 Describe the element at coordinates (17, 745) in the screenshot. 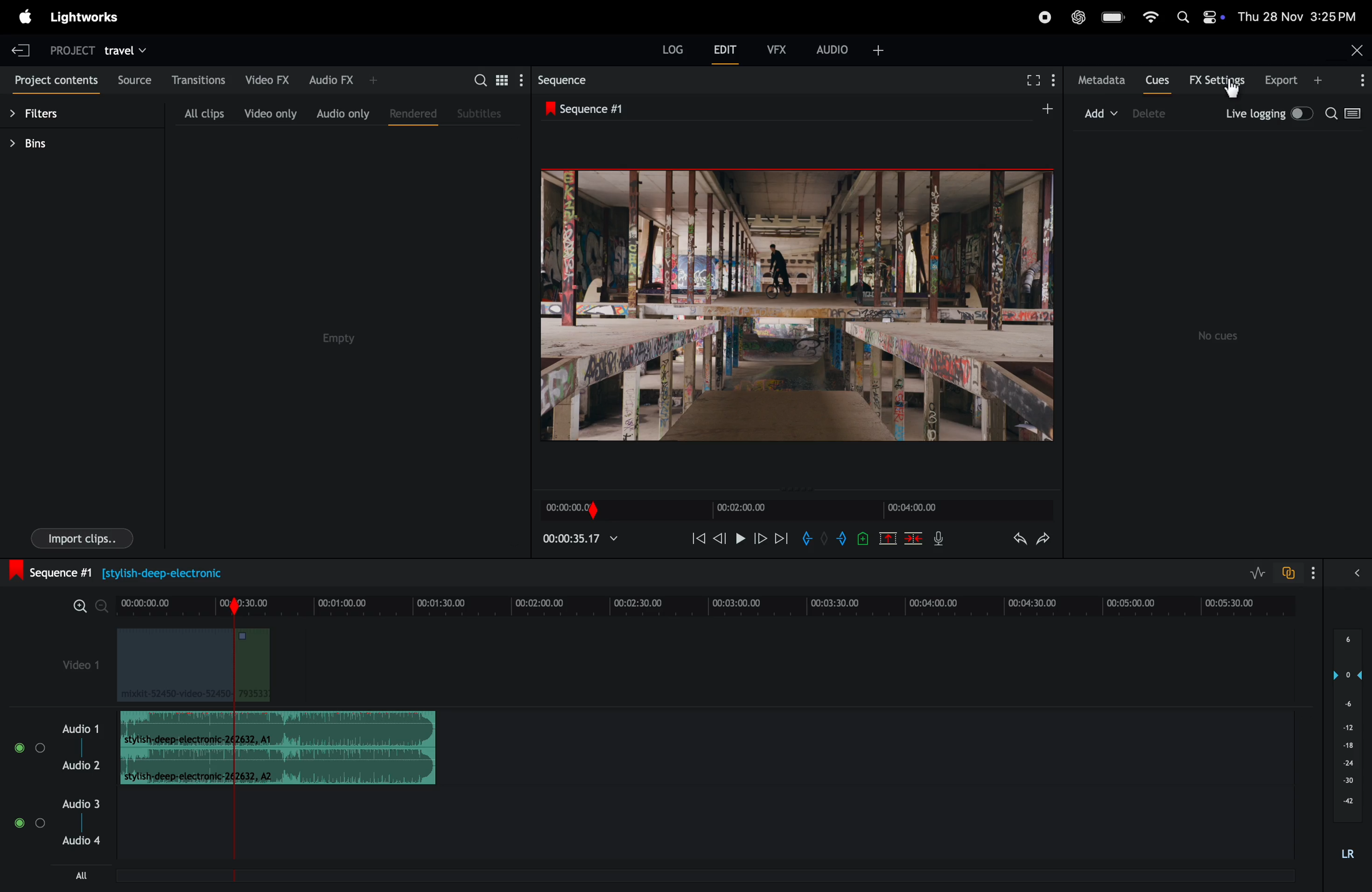

I see `mute/unmute track` at that location.